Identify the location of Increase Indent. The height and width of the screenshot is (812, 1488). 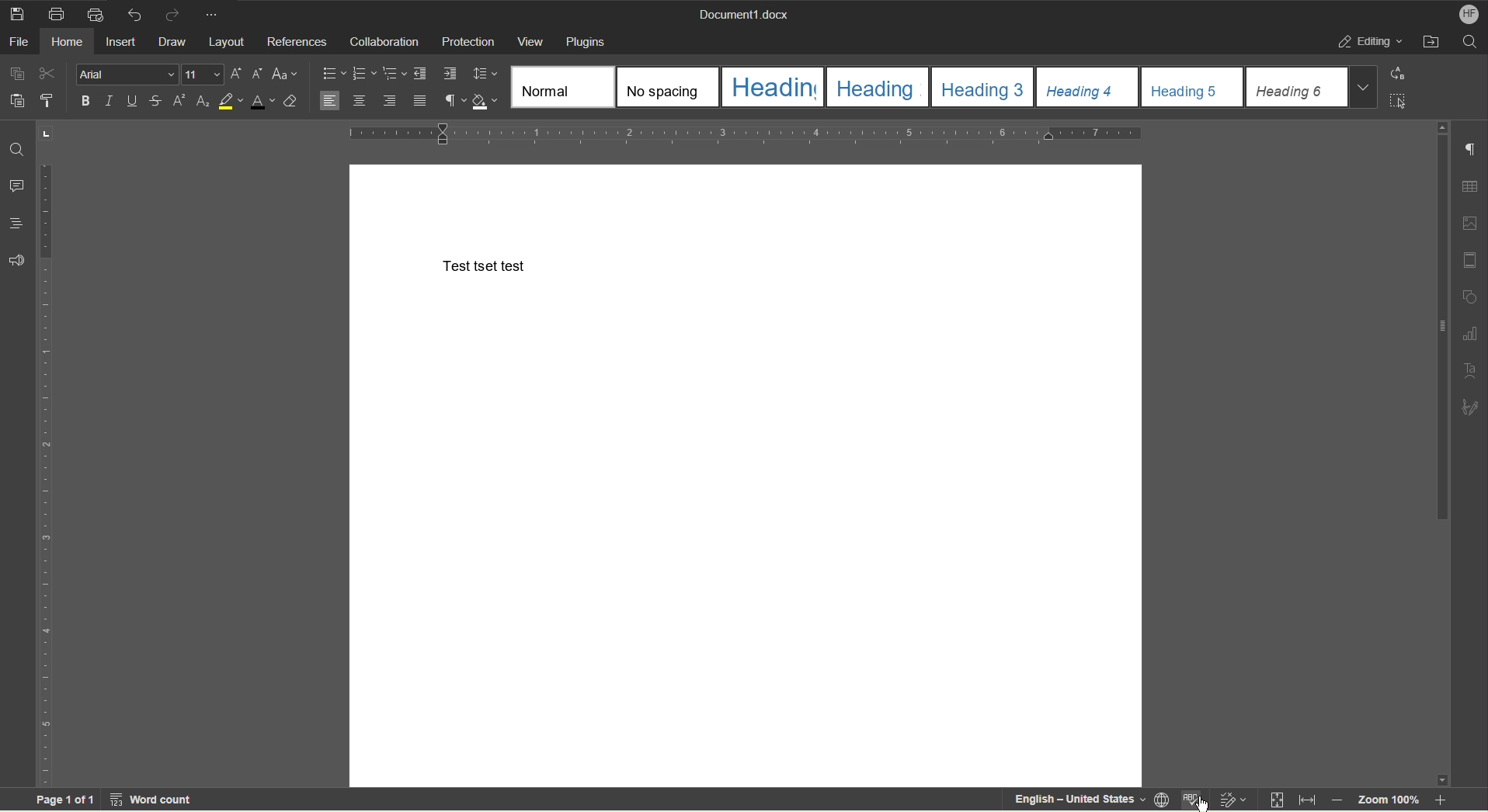
(449, 75).